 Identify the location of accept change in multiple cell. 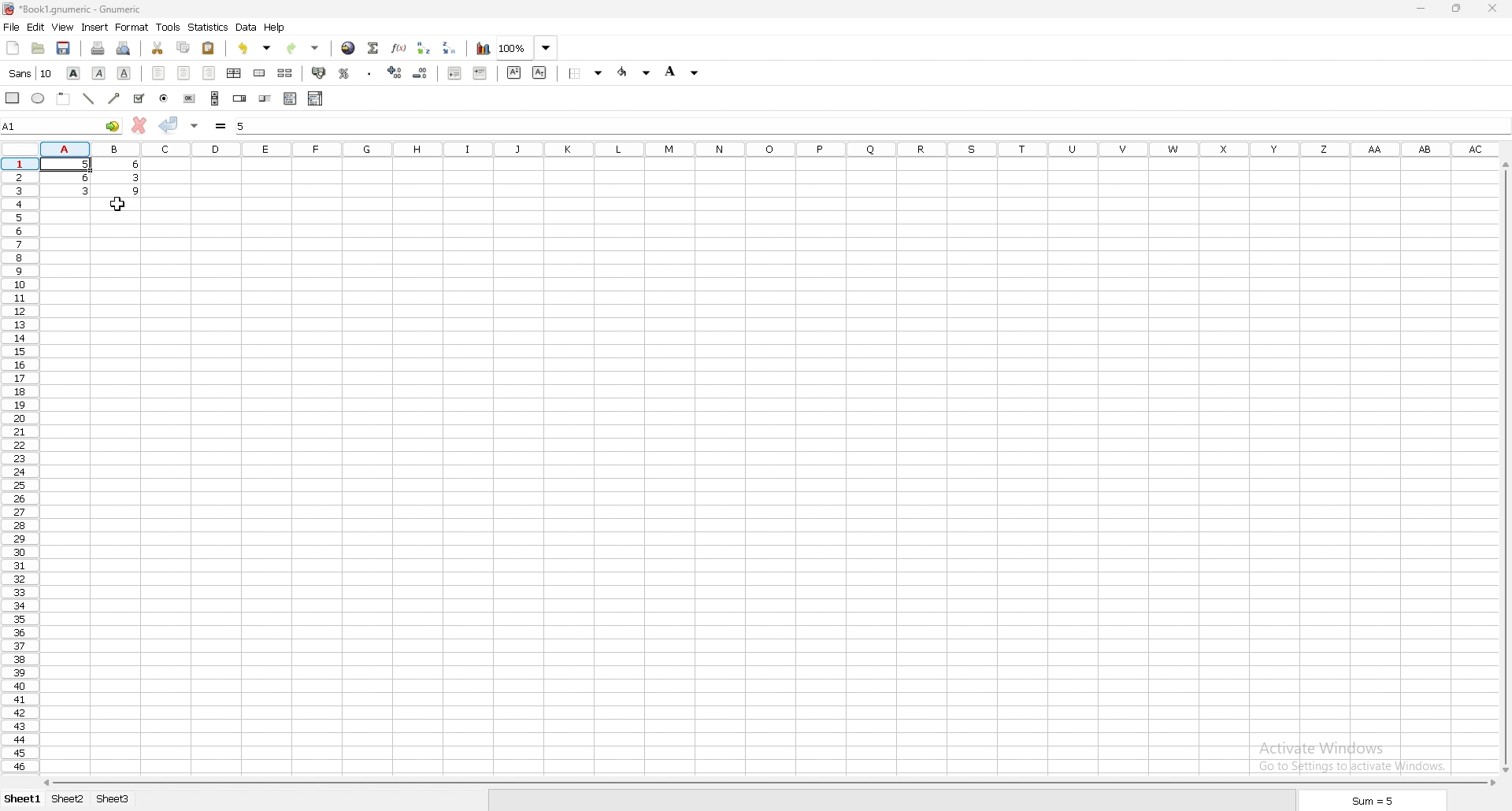
(195, 127).